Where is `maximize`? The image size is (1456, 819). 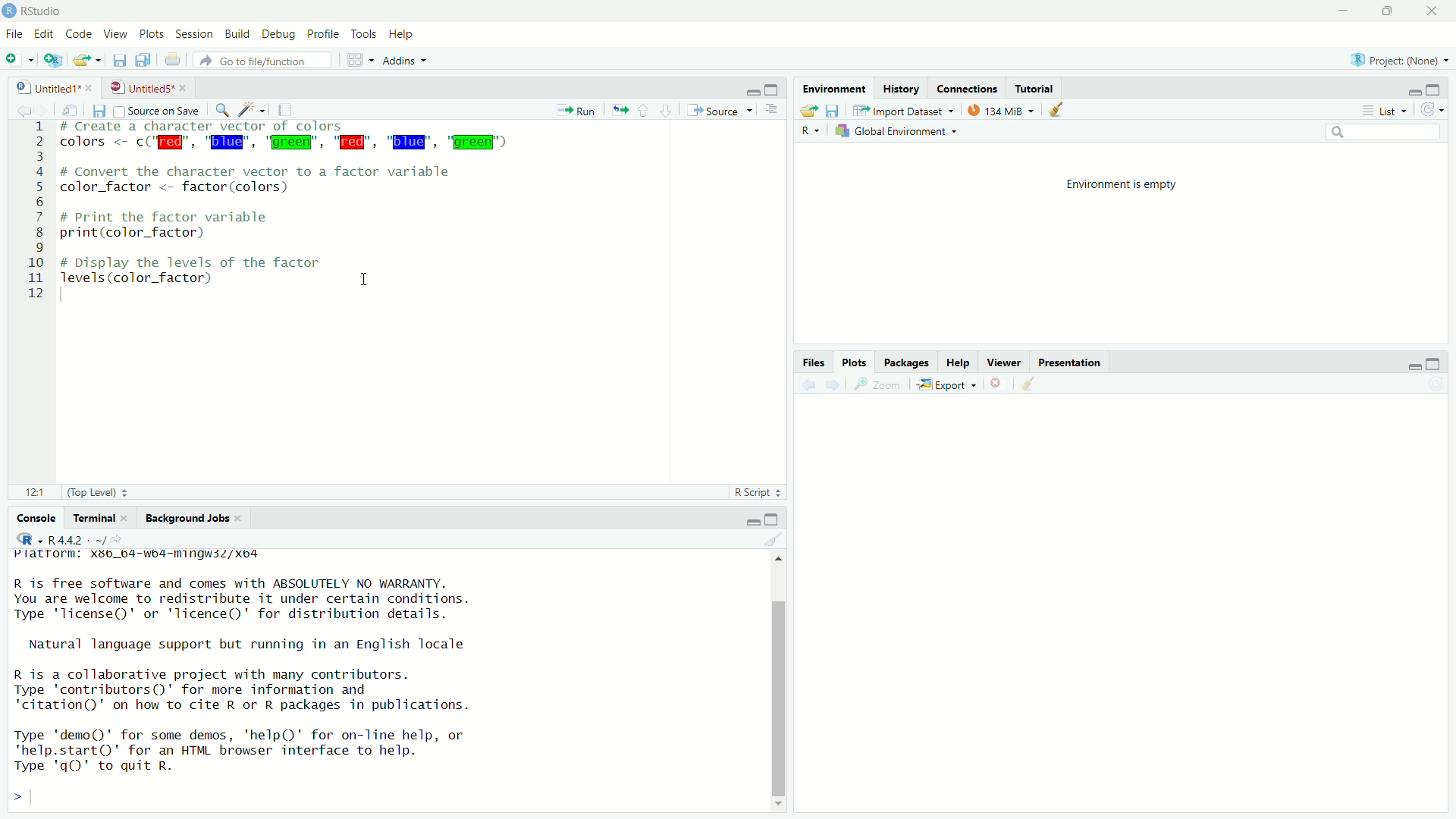 maximize is located at coordinates (1391, 10).